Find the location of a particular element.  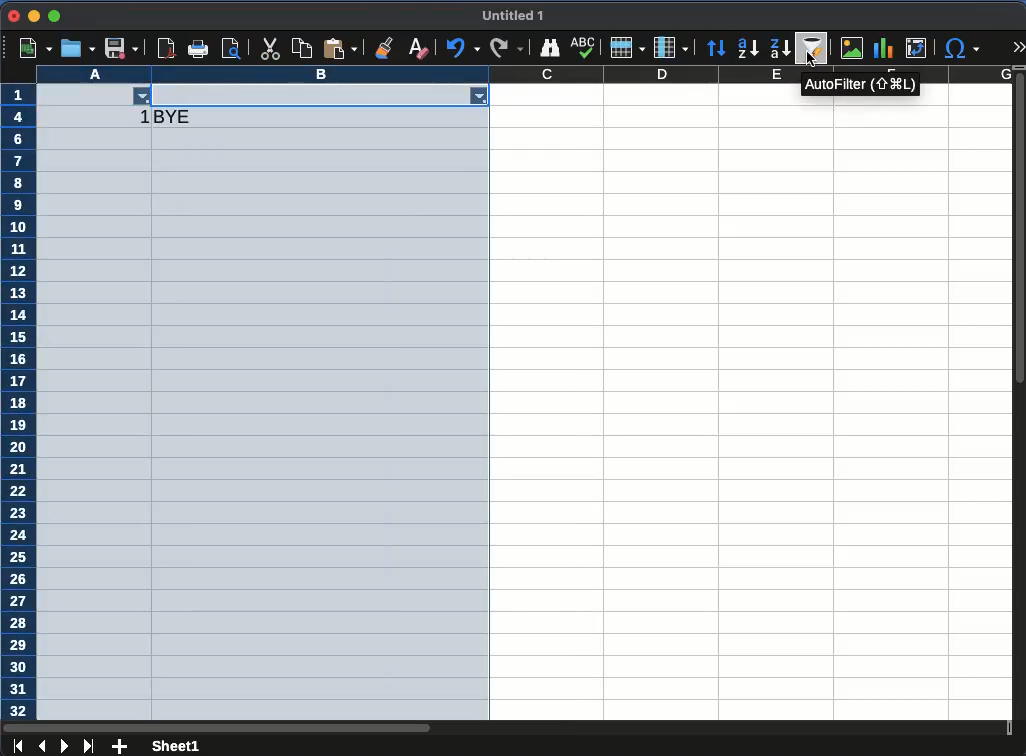

new is located at coordinates (36, 47).